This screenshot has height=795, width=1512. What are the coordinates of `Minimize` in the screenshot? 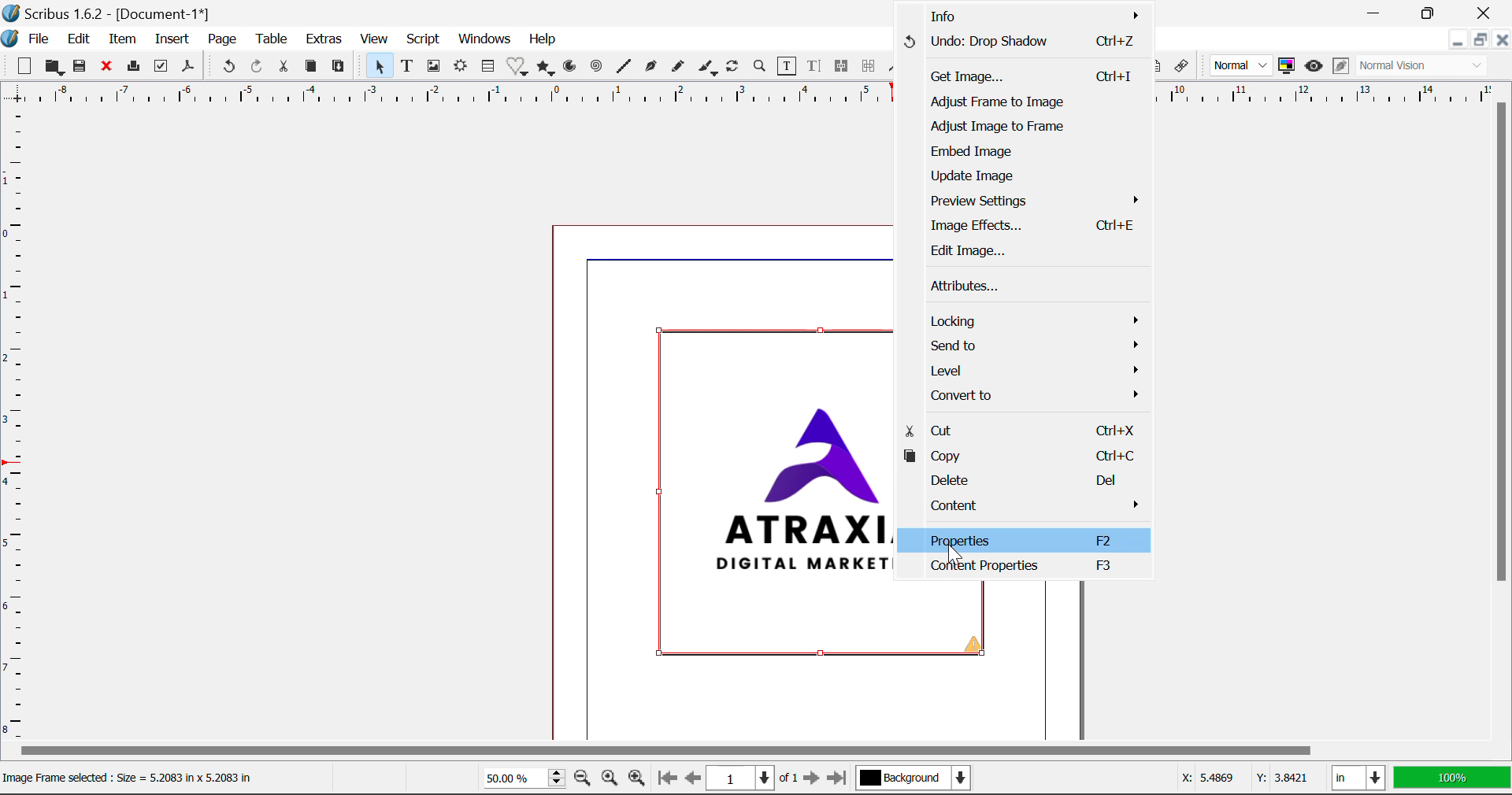 It's located at (1480, 39).